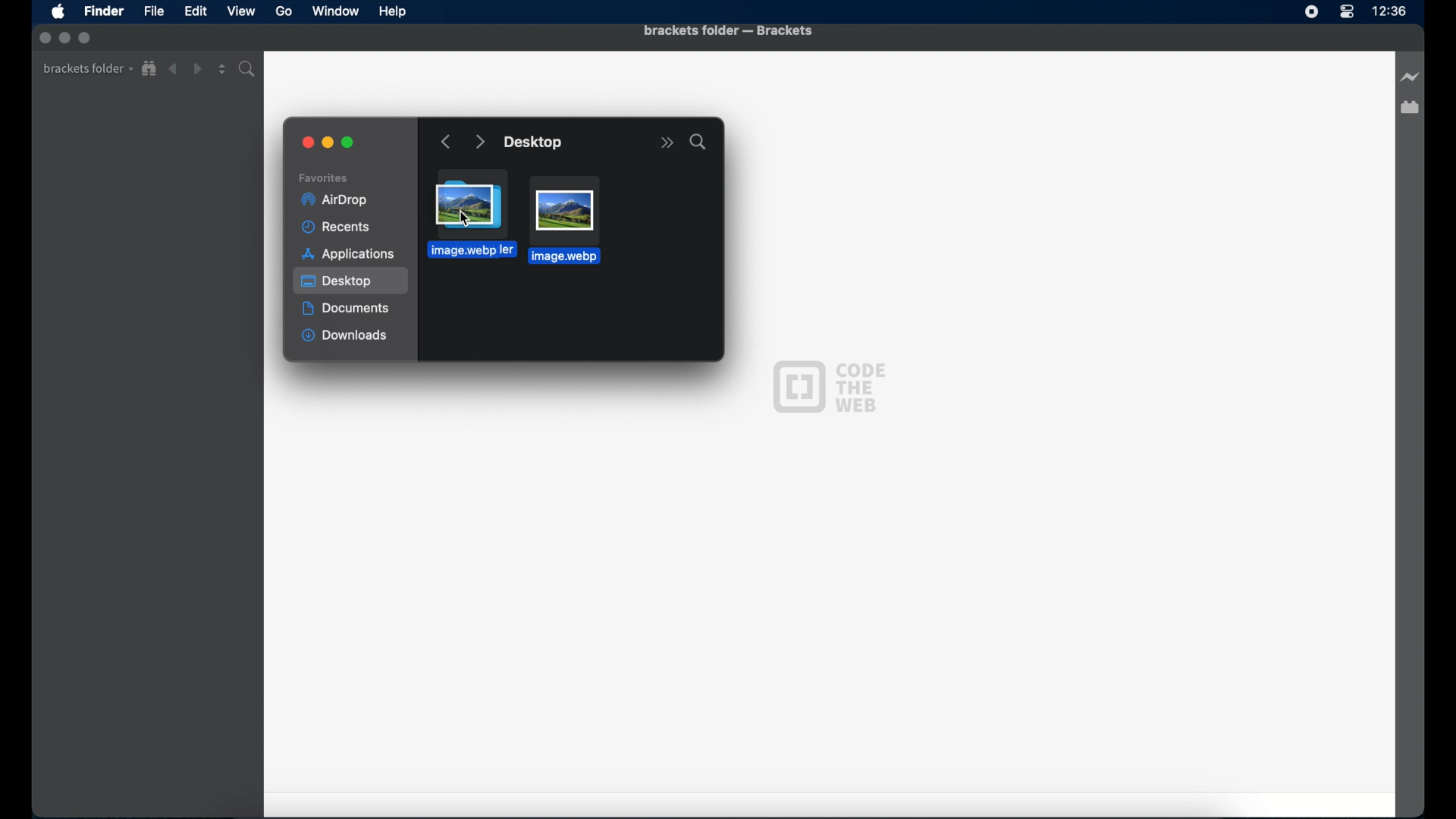 This screenshot has width=1456, height=819. What do you see at coordinates (336, 11) in the screenshot?
I see `Window` at bounding box center [336, 11].